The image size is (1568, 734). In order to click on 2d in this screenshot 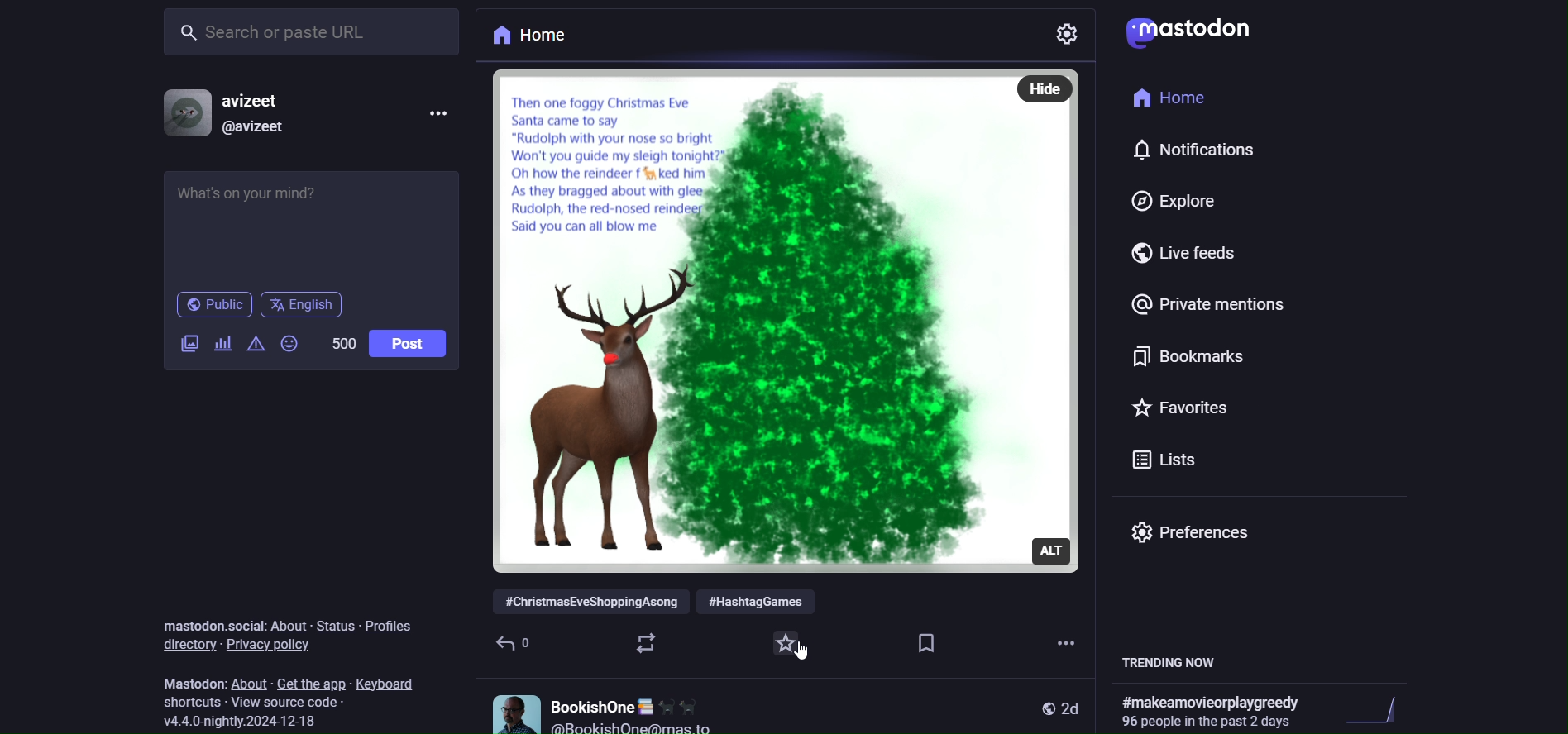, I will do `click(1073, 706)`.